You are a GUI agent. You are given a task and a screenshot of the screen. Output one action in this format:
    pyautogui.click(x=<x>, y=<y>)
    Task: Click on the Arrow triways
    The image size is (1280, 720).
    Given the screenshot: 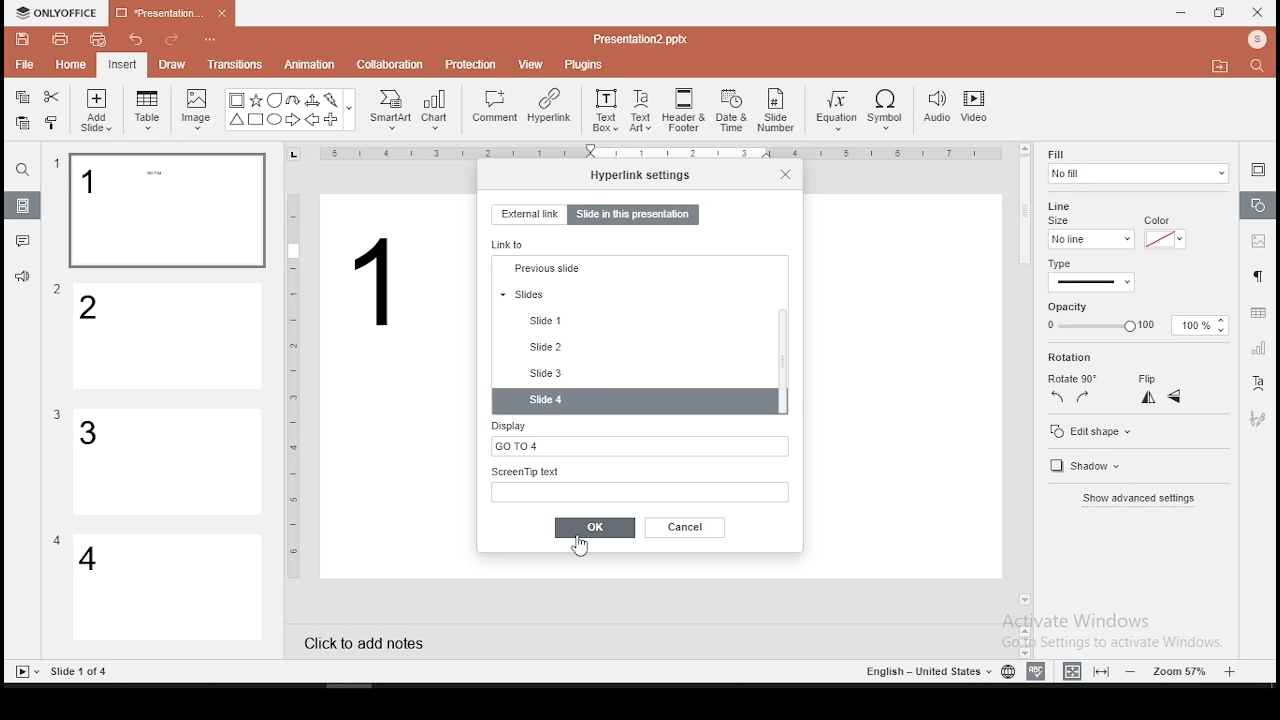 What is the action you would take?
    pyautogui.click(x=313, y=100)
    